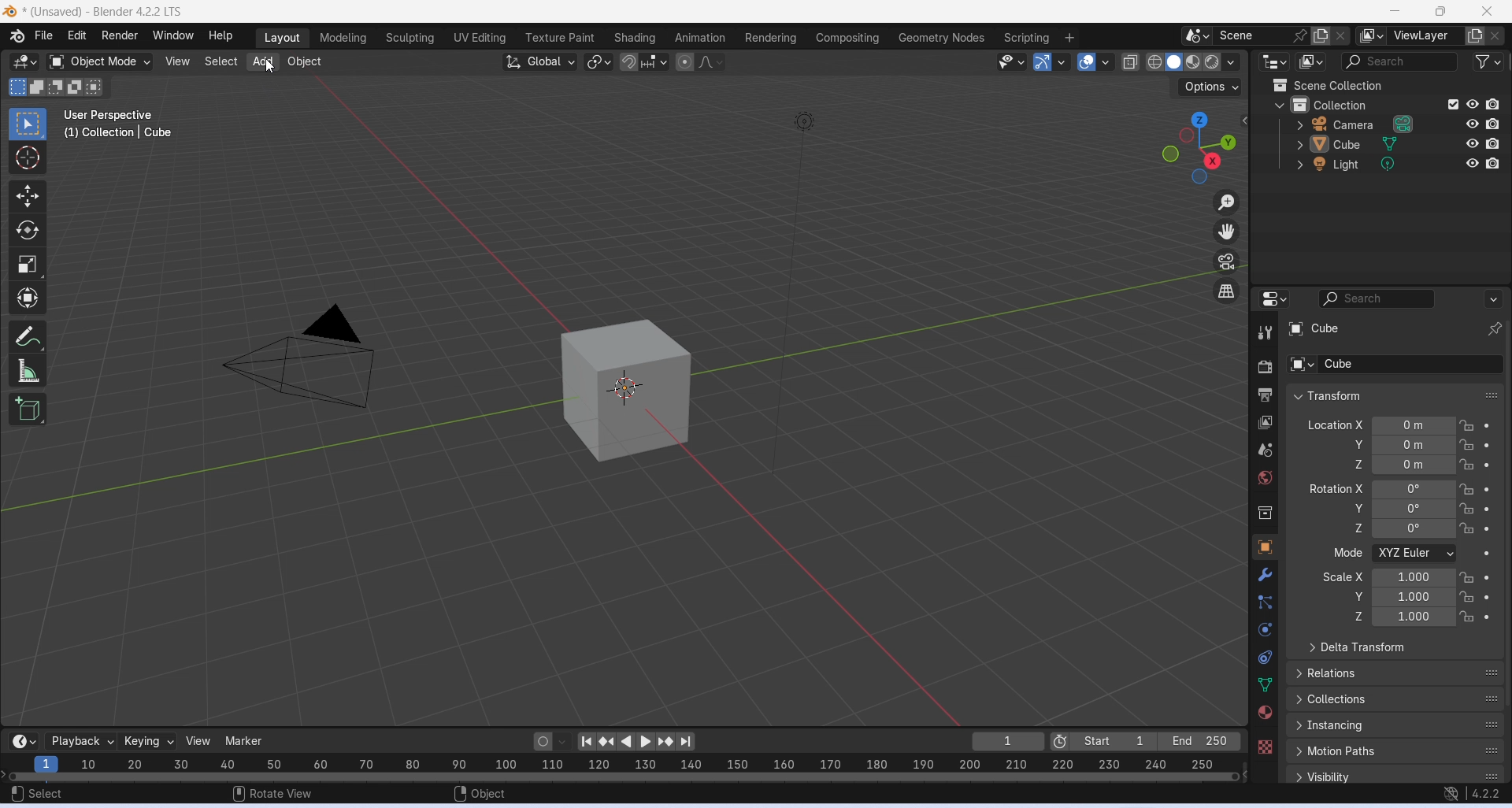  Describe the element at coordinates (24, 741) in the screenshot. I see `timer` at that location.